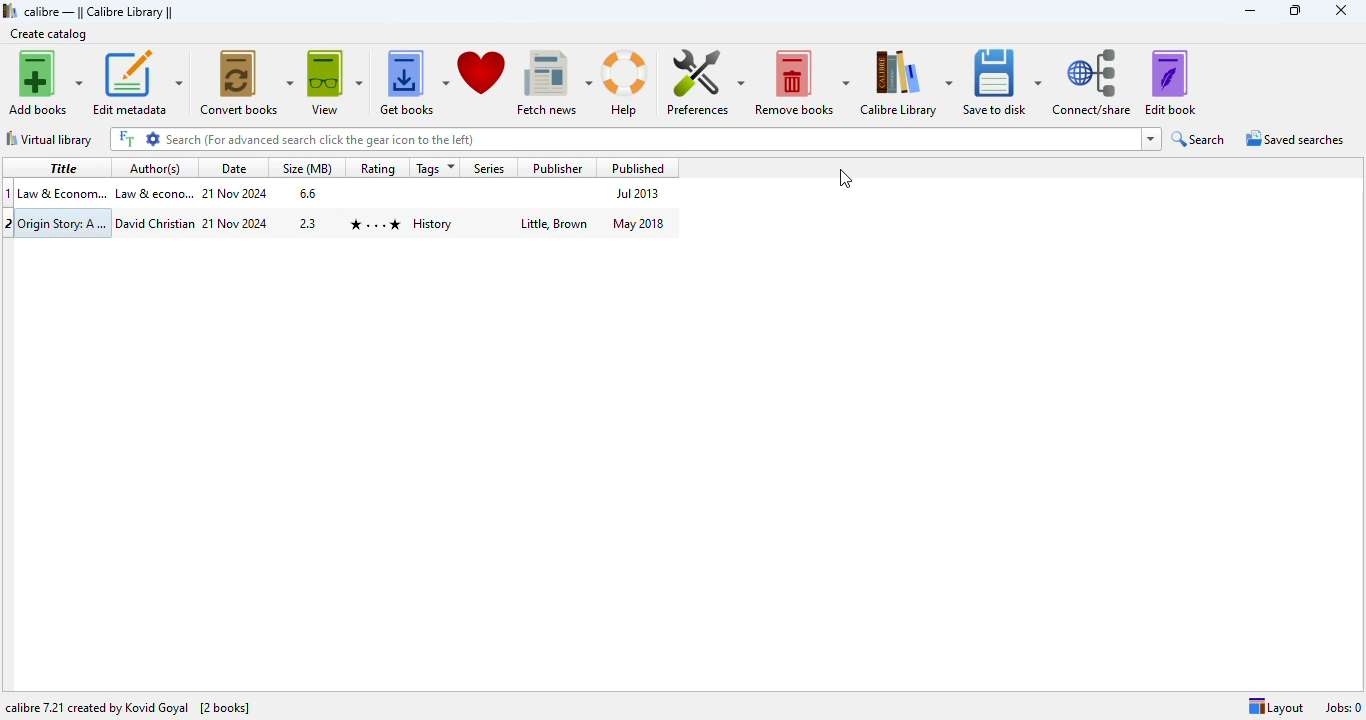 The width and height of the screenshot is (1366, 720). I want to click on logo, so click(11, 10).